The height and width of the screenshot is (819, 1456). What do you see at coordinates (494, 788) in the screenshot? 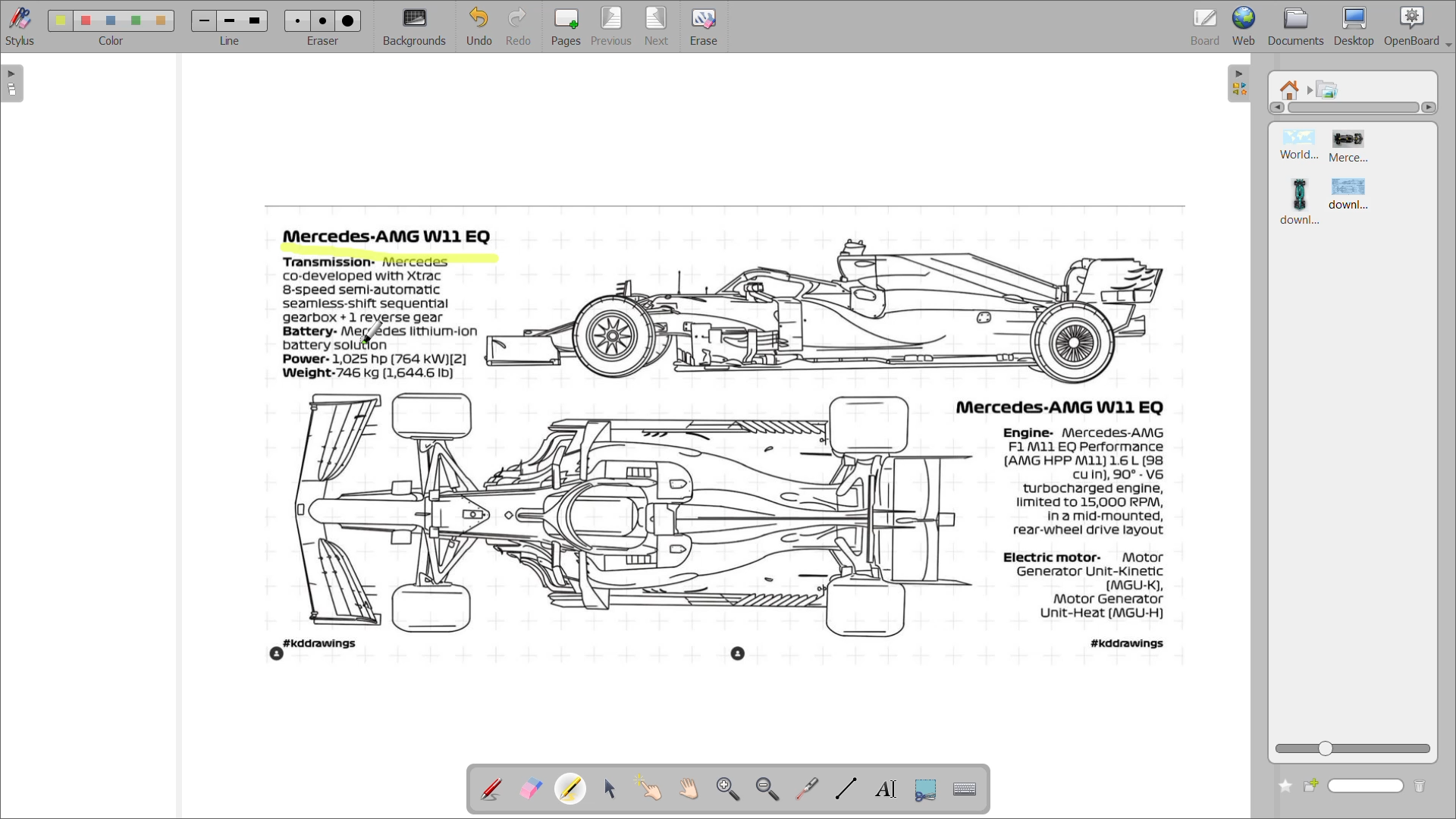
I see `annotate document` at bounding box center [494, 788].